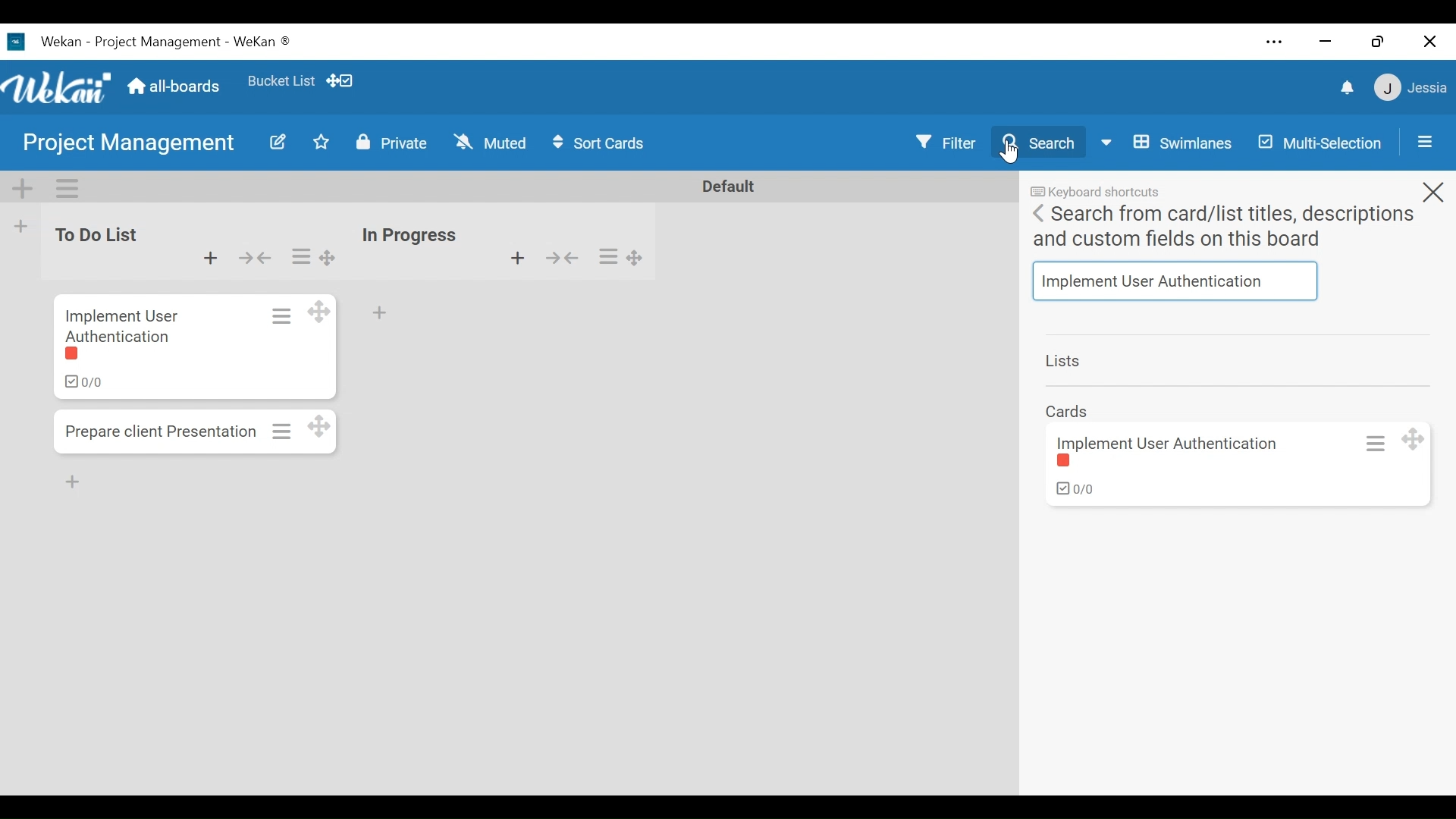 The width and height of the screenshot is (1456, 819). I want to click on Open/Close Side Pane, so click(1423, 143).